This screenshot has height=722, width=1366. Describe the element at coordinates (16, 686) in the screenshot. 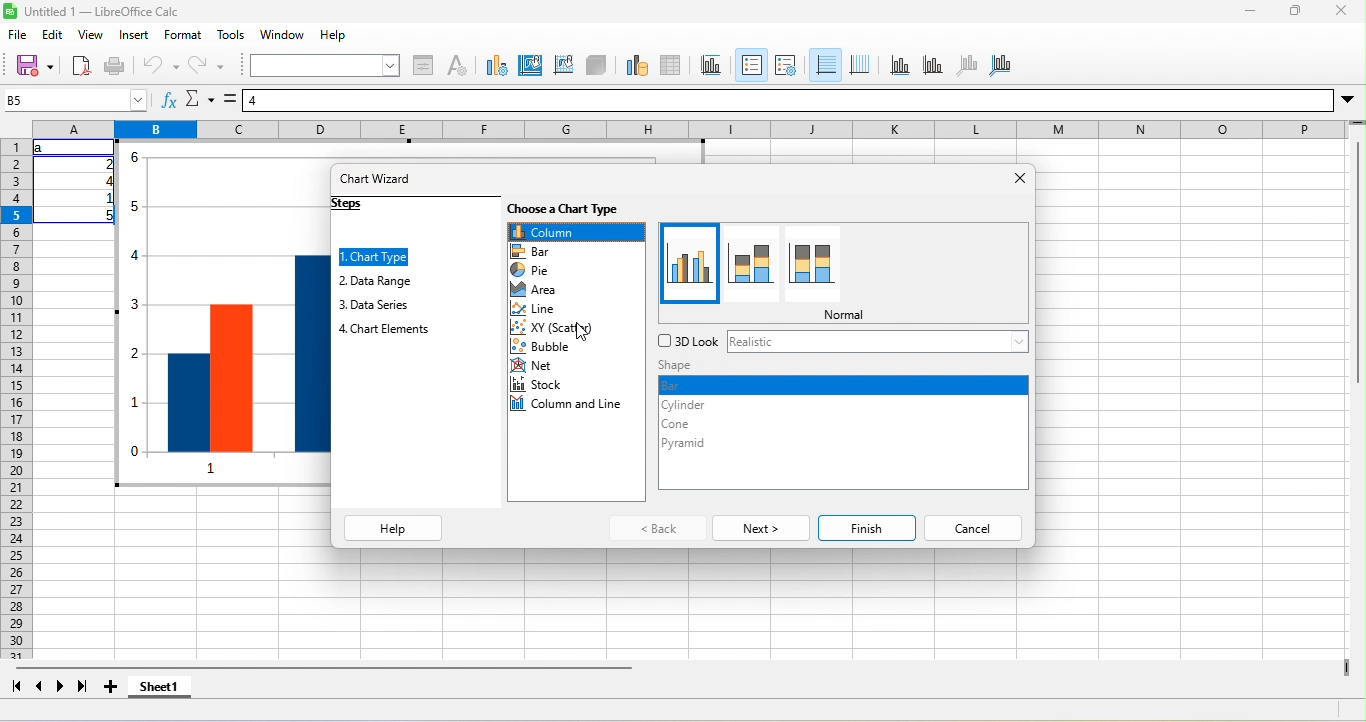

I see `first sheet` at that location.